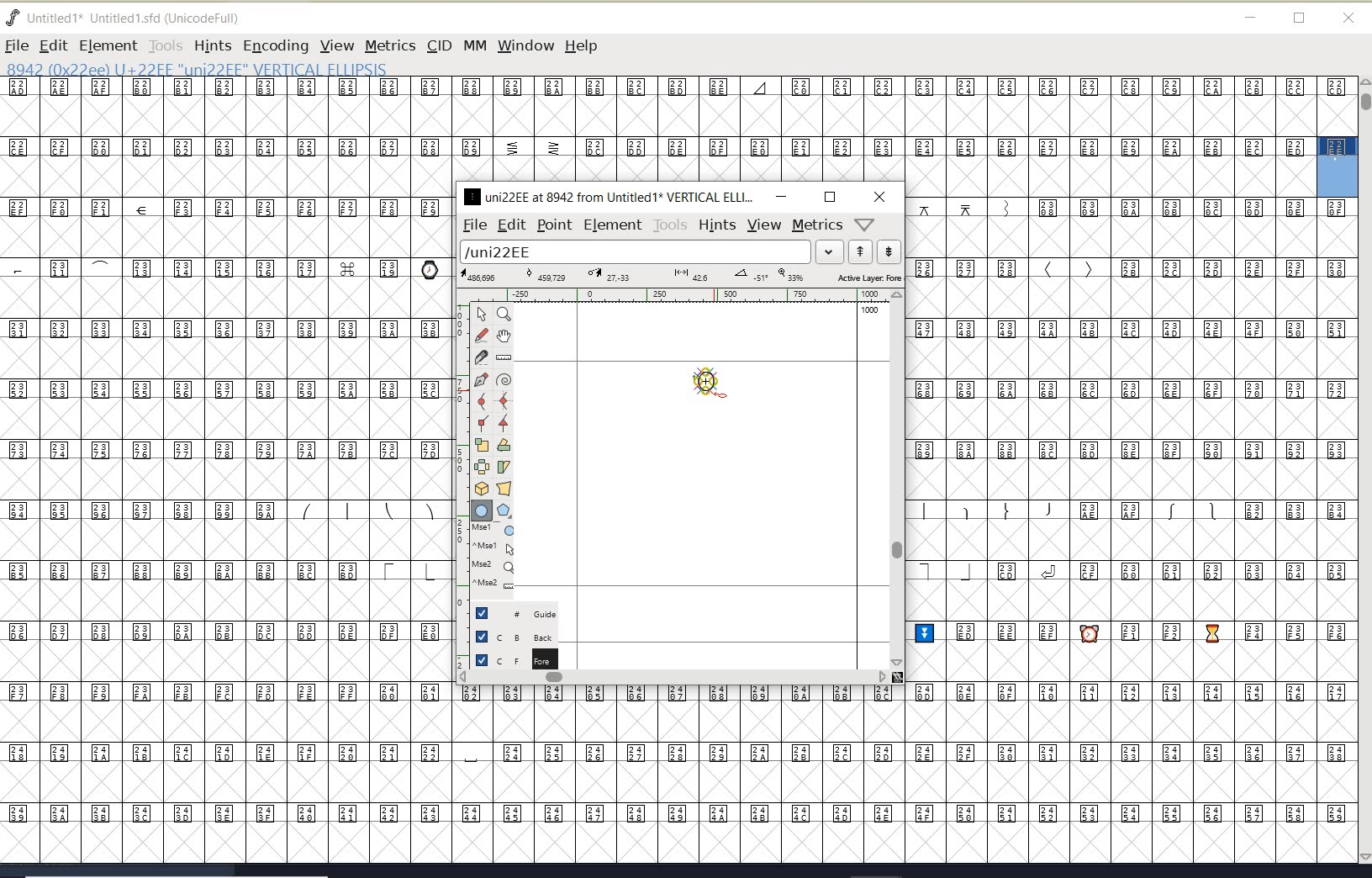  Describe the element at coordinates (13, 18) in the screenshot. I see `fontforge logo` at that location.